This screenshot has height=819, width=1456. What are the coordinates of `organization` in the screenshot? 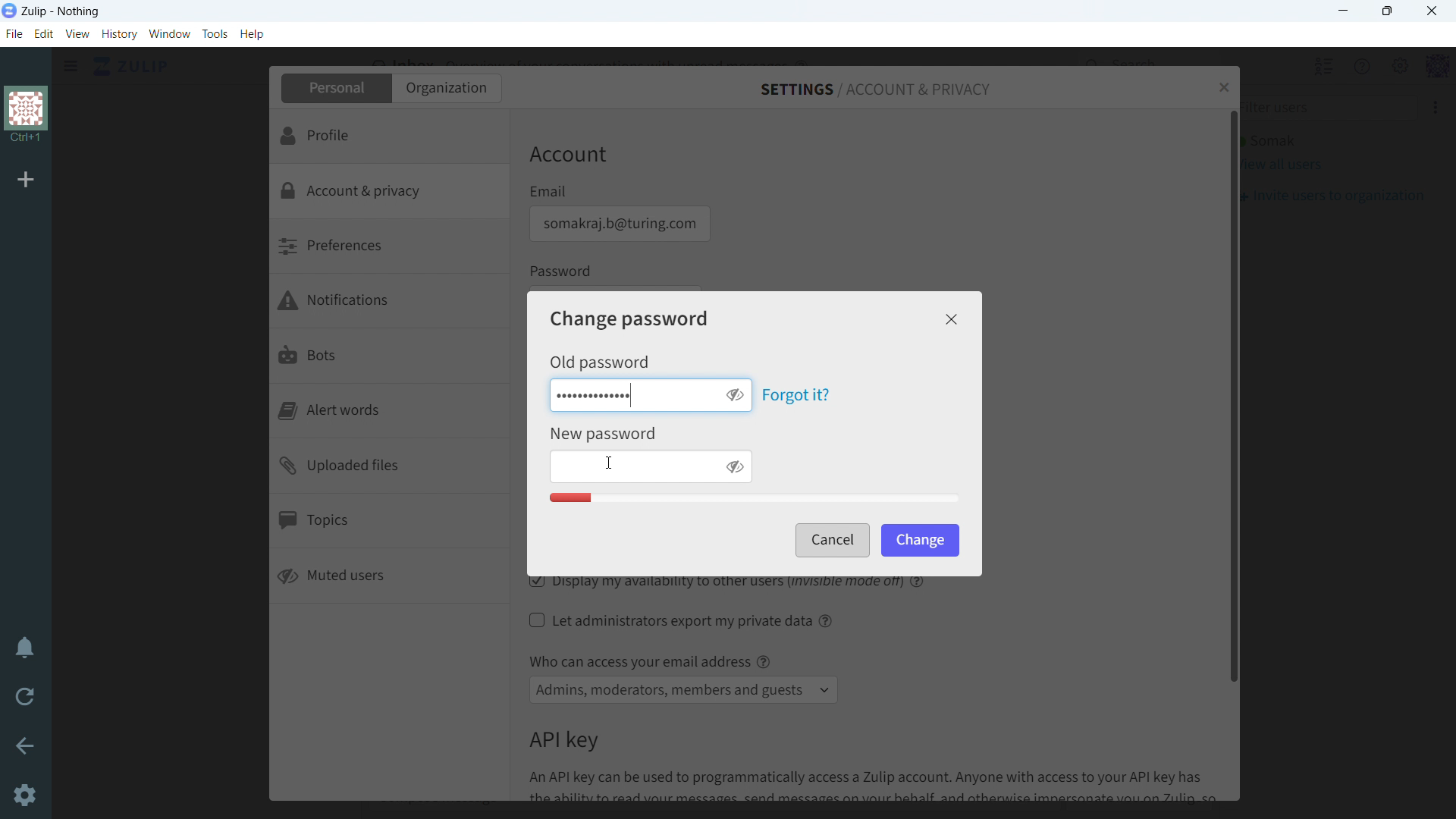 It's located at (27, 116).